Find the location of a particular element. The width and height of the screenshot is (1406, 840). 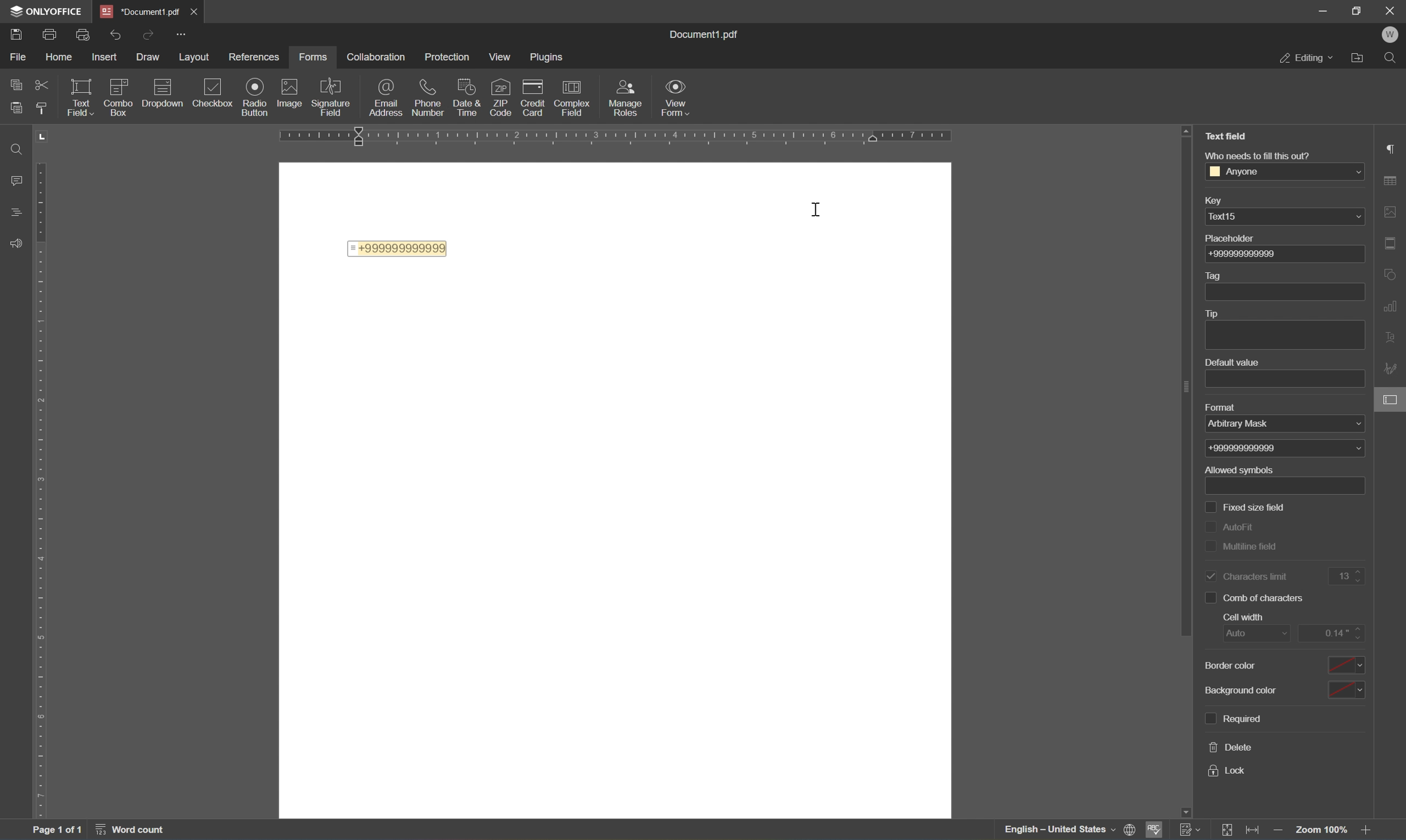

print is located at coordinates (15, 32).